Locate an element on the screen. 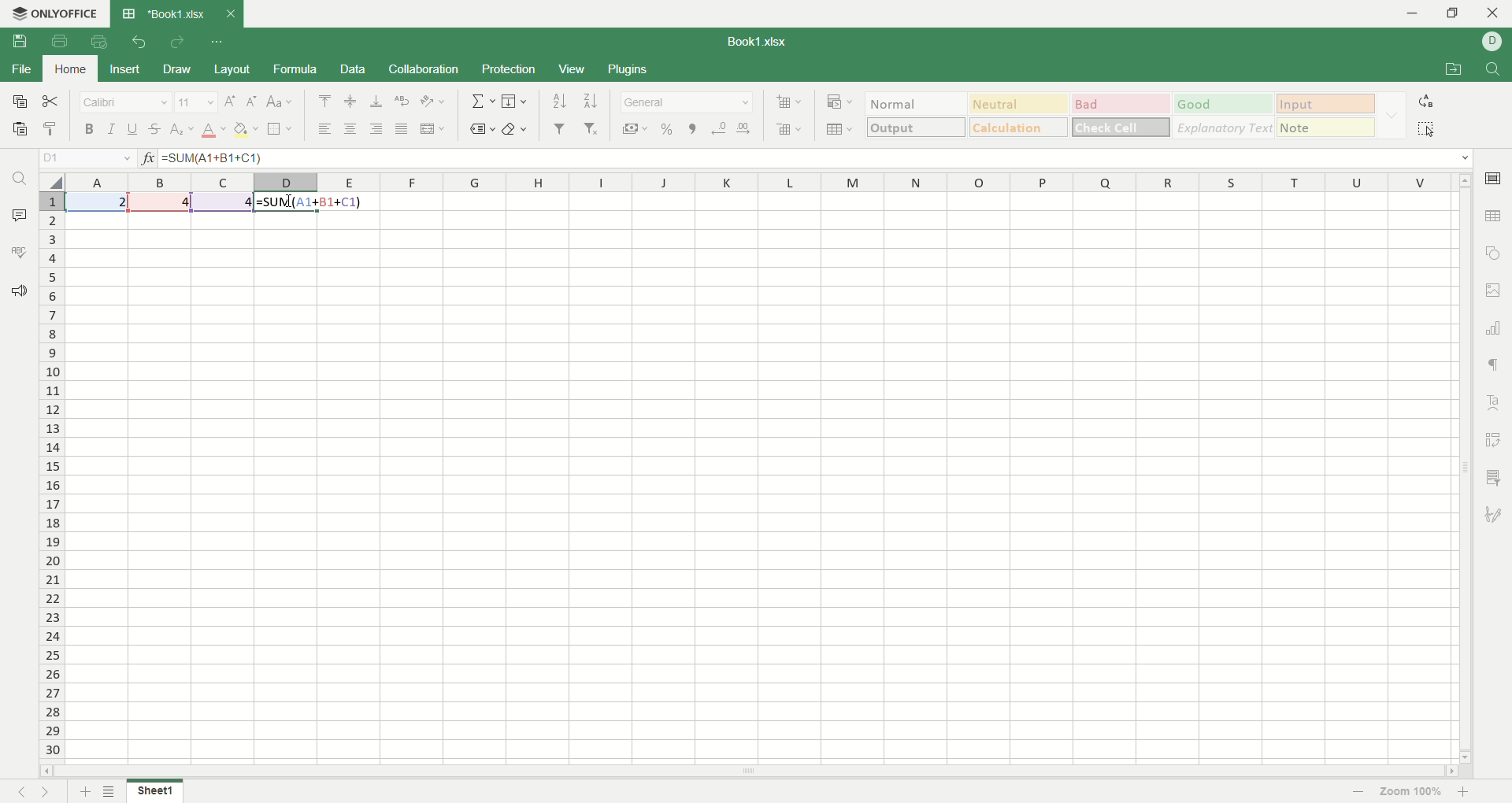 The image size is (1512, 803). formula is located at coordinates (295, 68).